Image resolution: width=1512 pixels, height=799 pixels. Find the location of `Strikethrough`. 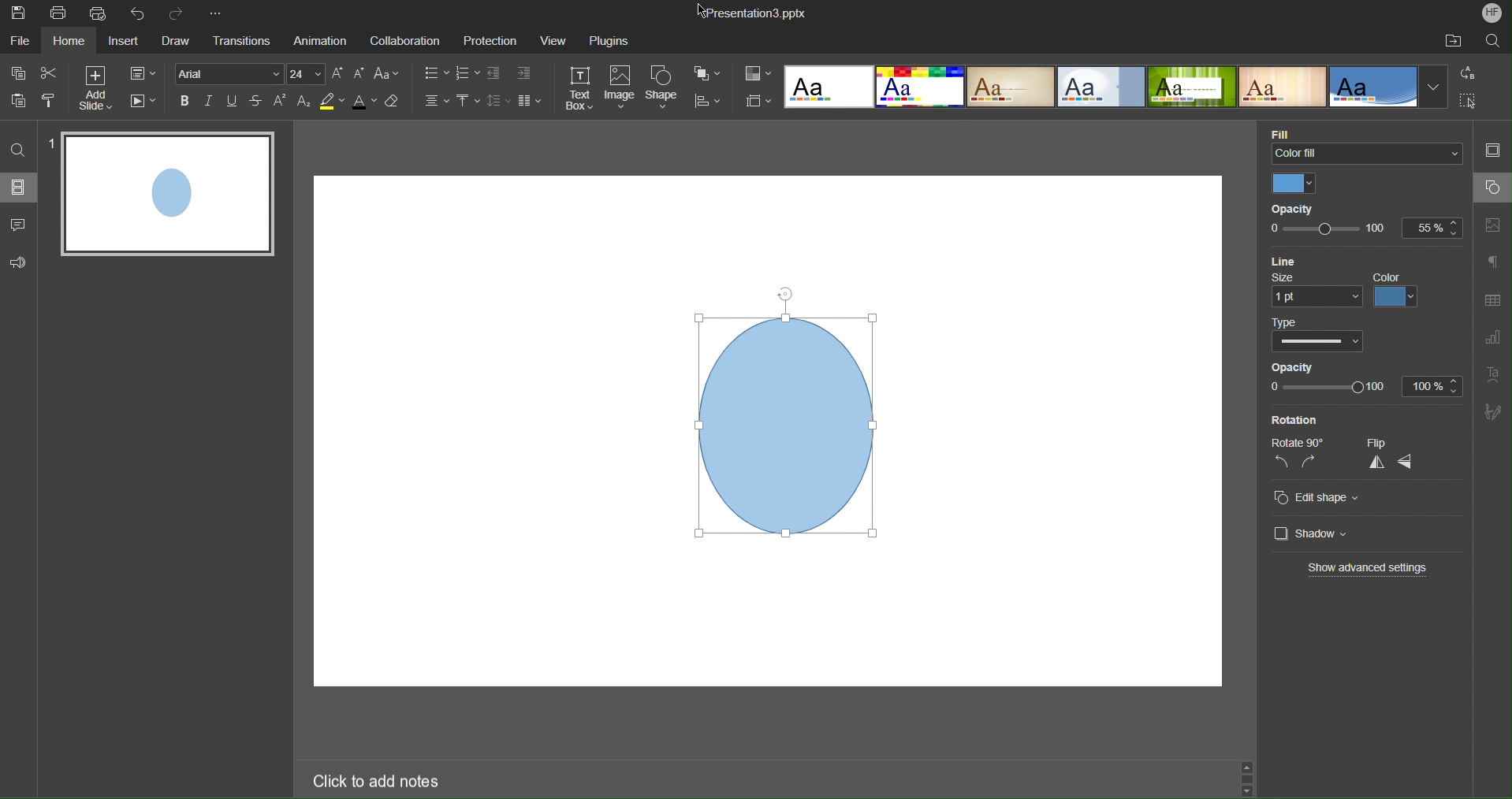

Strikethrough is located at coordinates (257, 103).